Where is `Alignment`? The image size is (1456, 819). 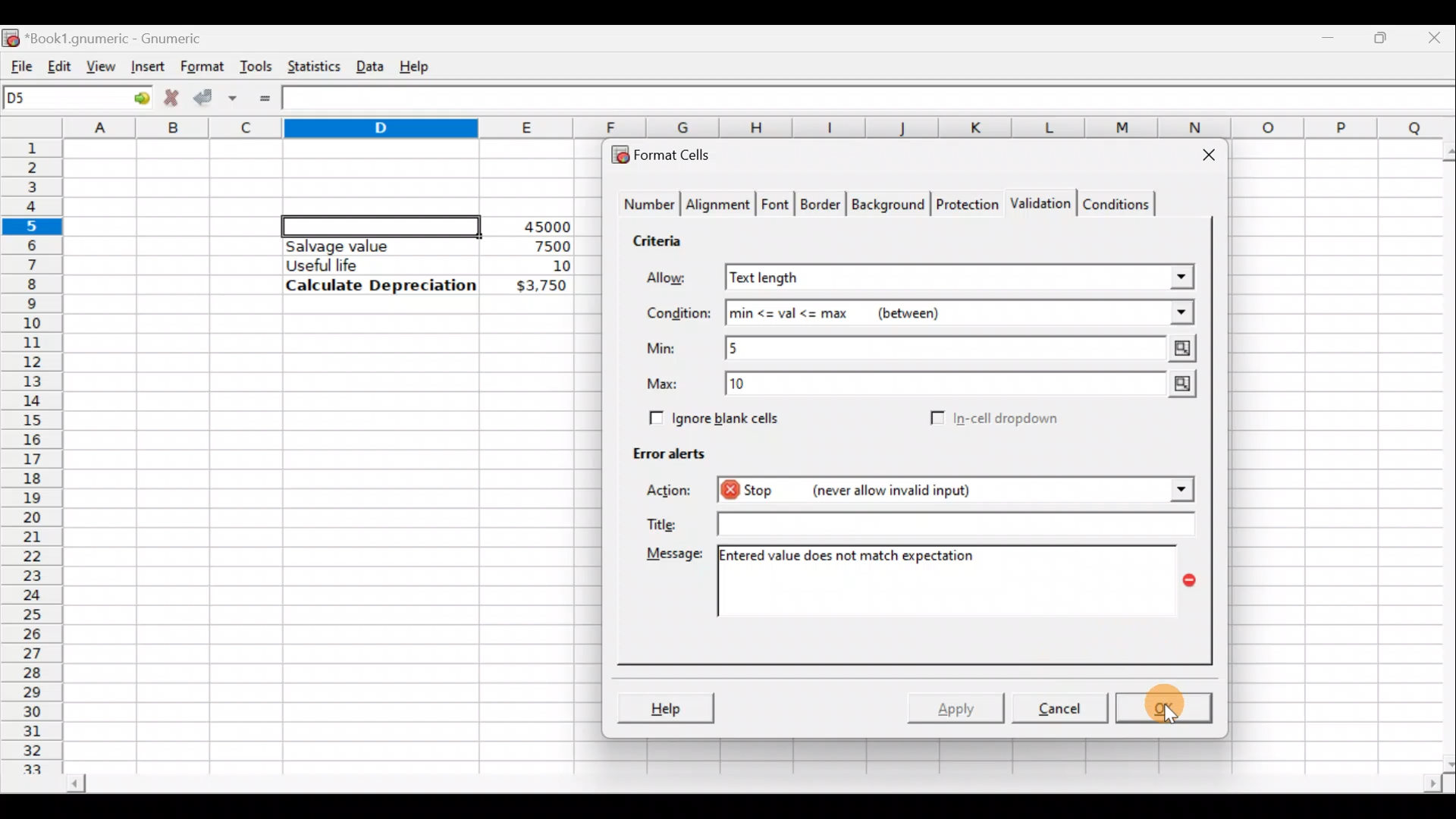
Alignment is located at coordinates (719, 206).